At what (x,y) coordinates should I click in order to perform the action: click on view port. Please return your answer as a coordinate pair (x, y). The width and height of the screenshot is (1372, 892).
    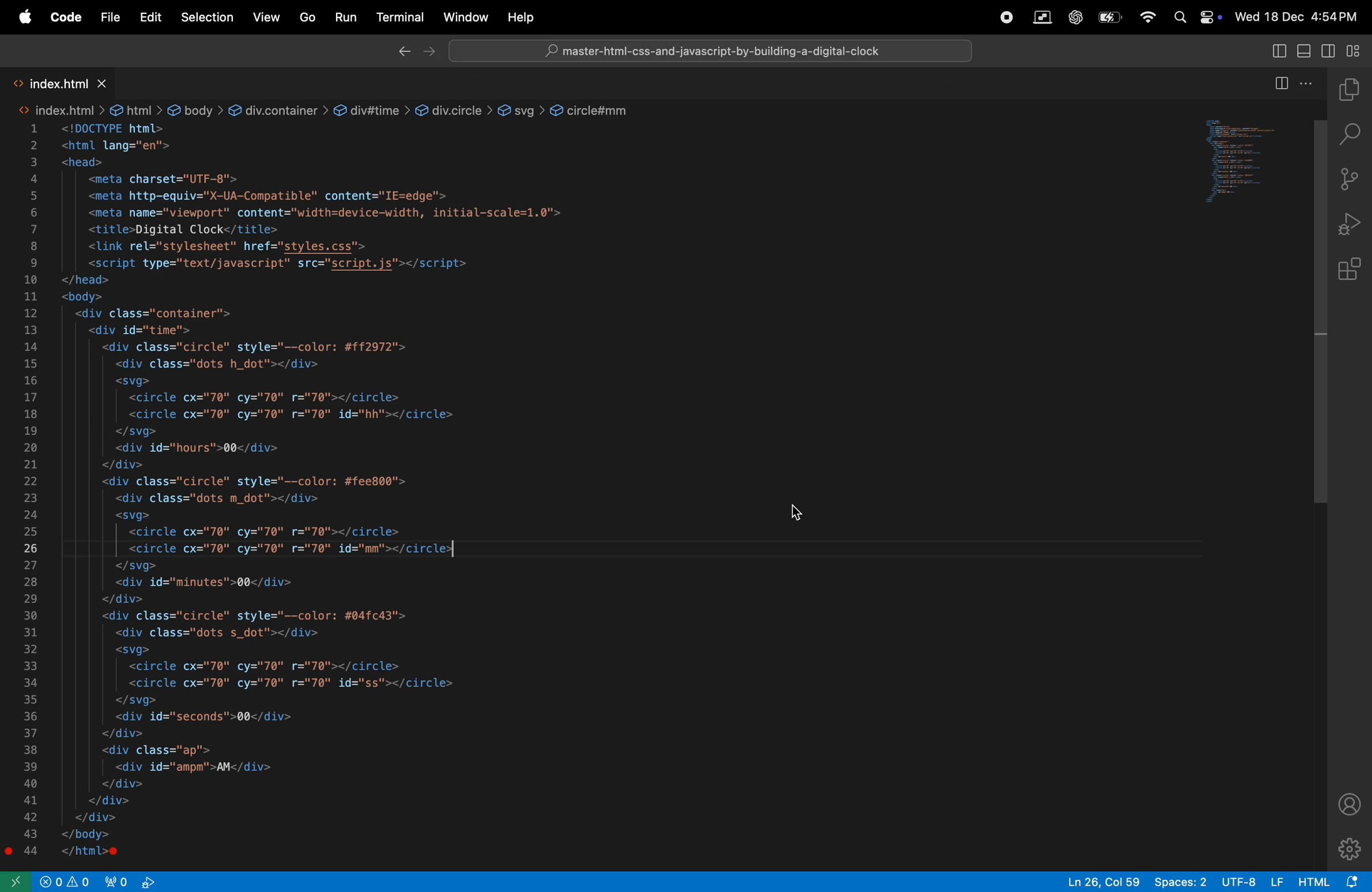
    Looking at the image, I should click on (67, 880).